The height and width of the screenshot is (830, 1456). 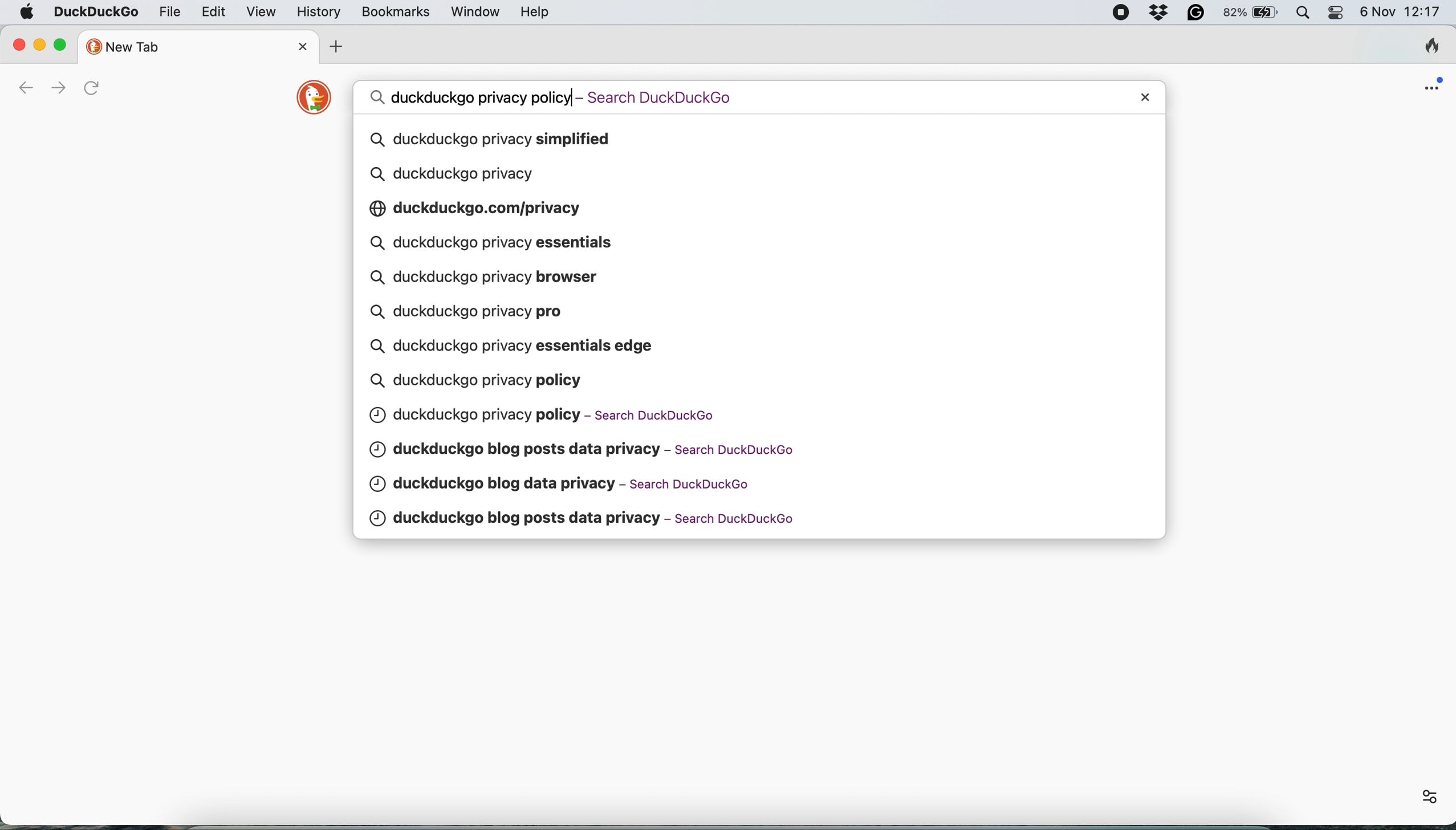 I want to click on open application menu, so click(x=1427, y=87).